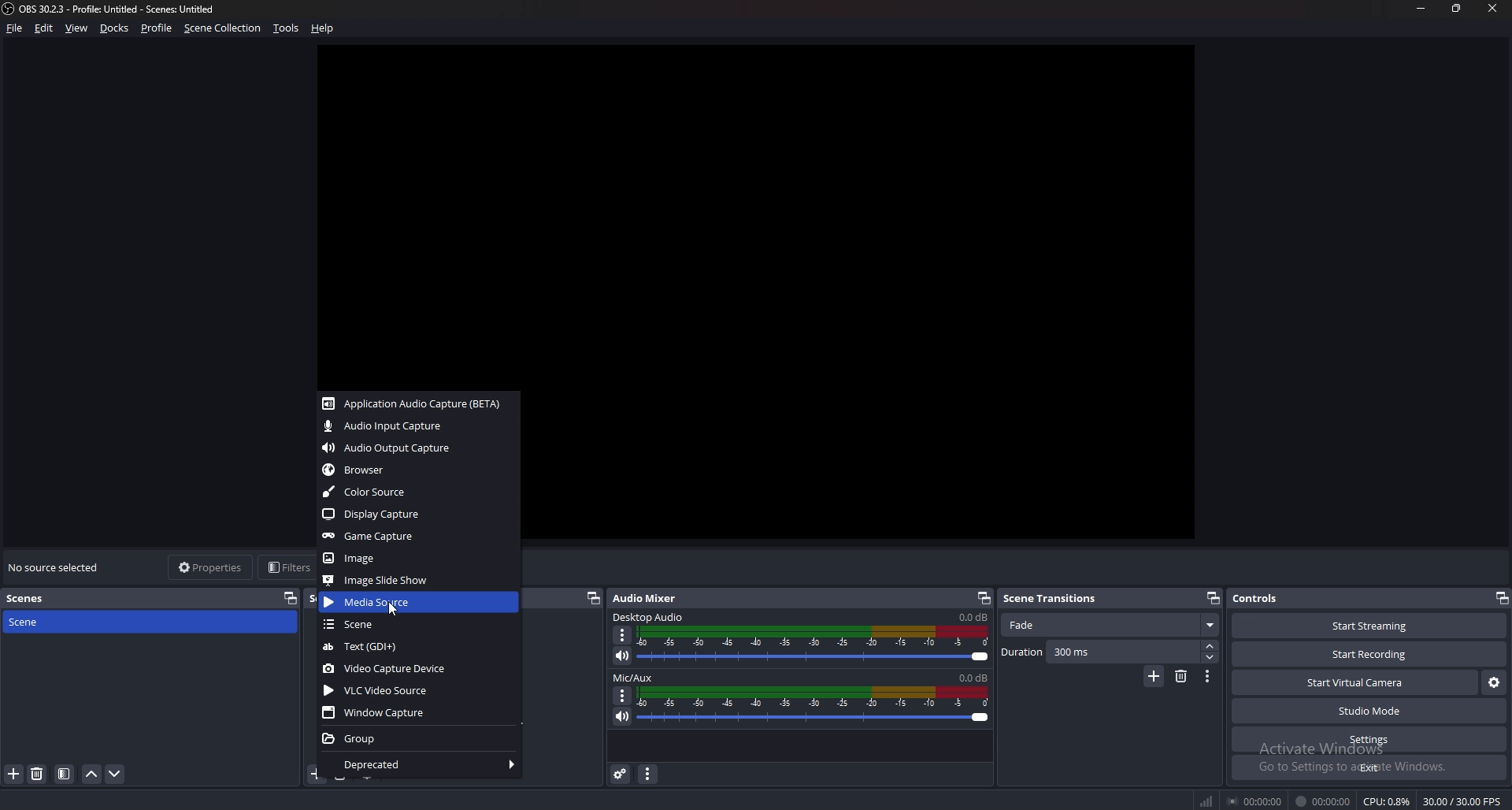 This screenshot has height=810, width=1512. I want to click on settings, so click(1367, 740).